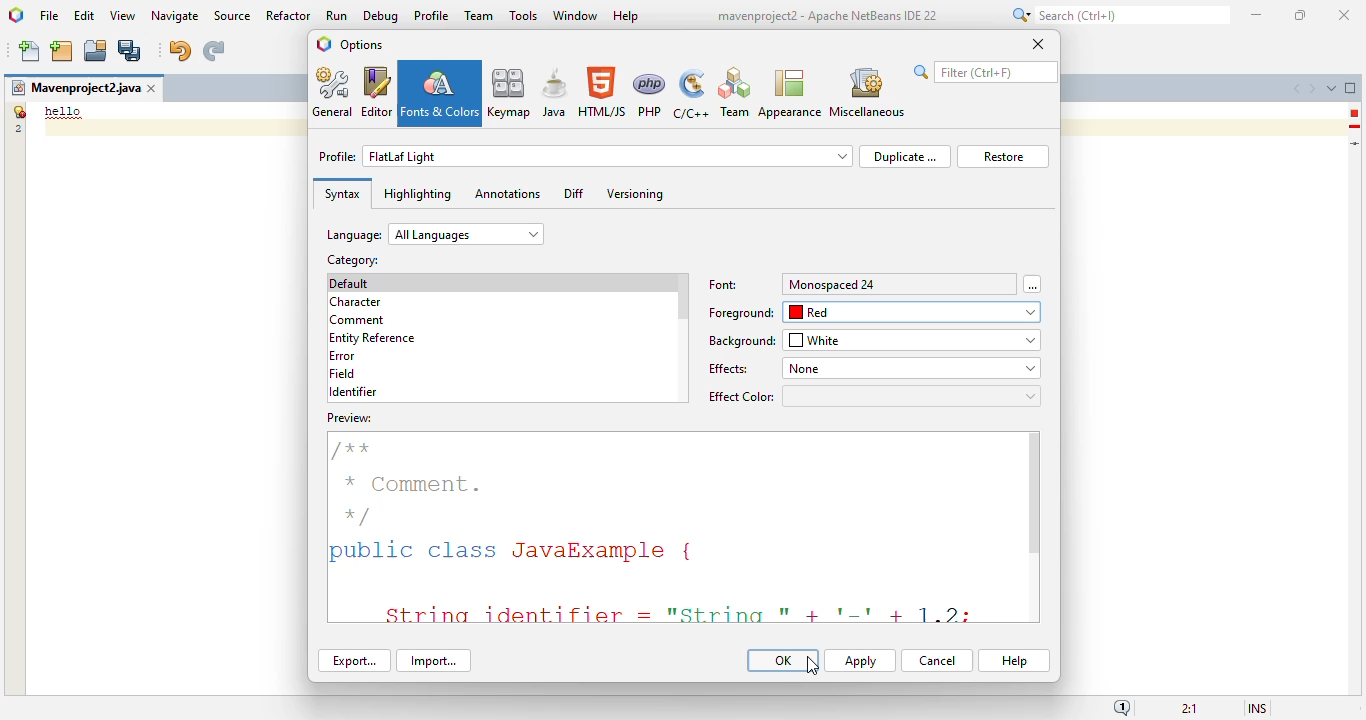 This screenshot has height=720, width=1366. Describe the element at coordinates (507, 193) in the screenshot. I see `annotations` at that location.